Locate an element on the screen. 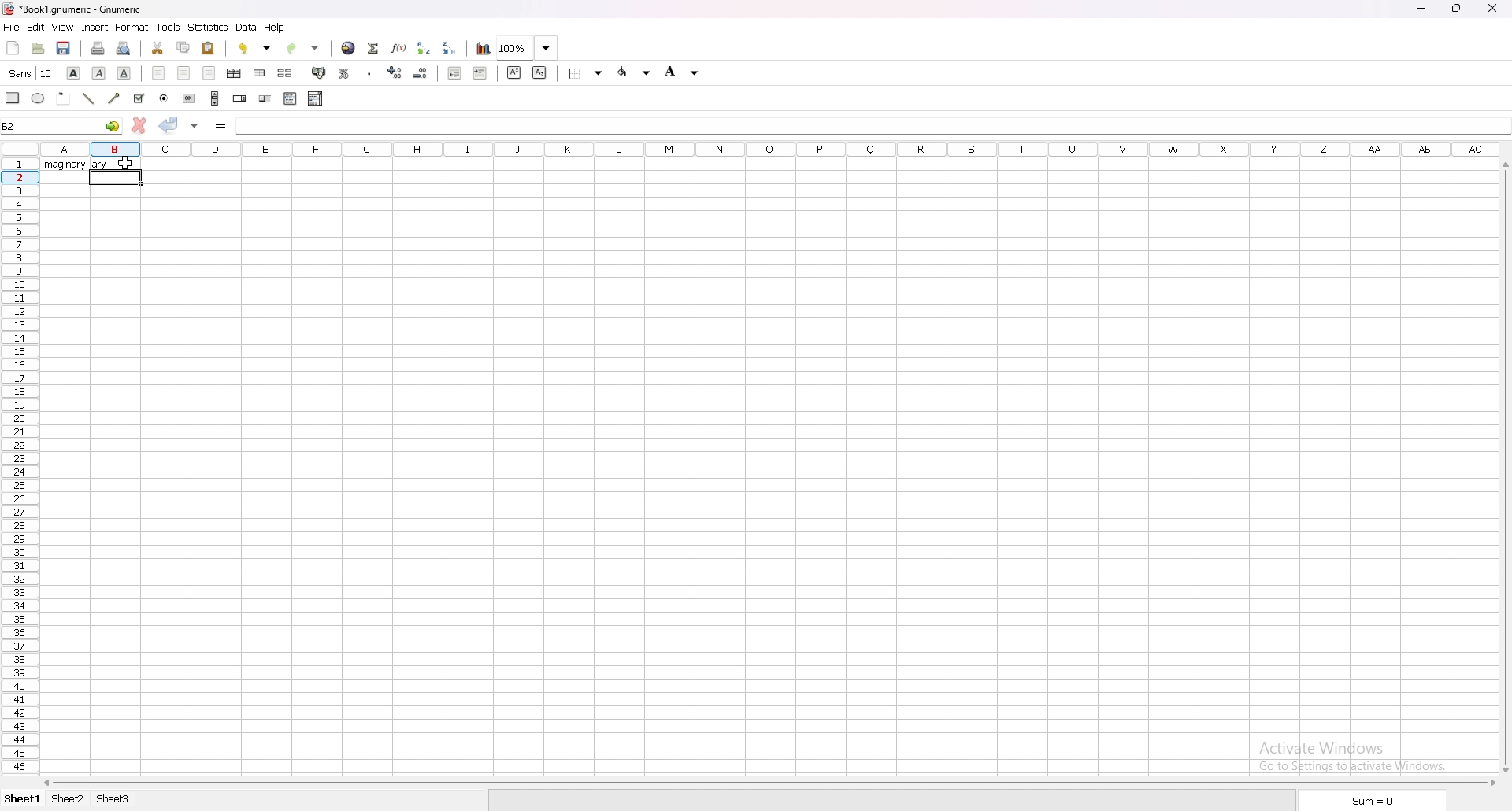  split merged cells is located at coordinates (285, 72).